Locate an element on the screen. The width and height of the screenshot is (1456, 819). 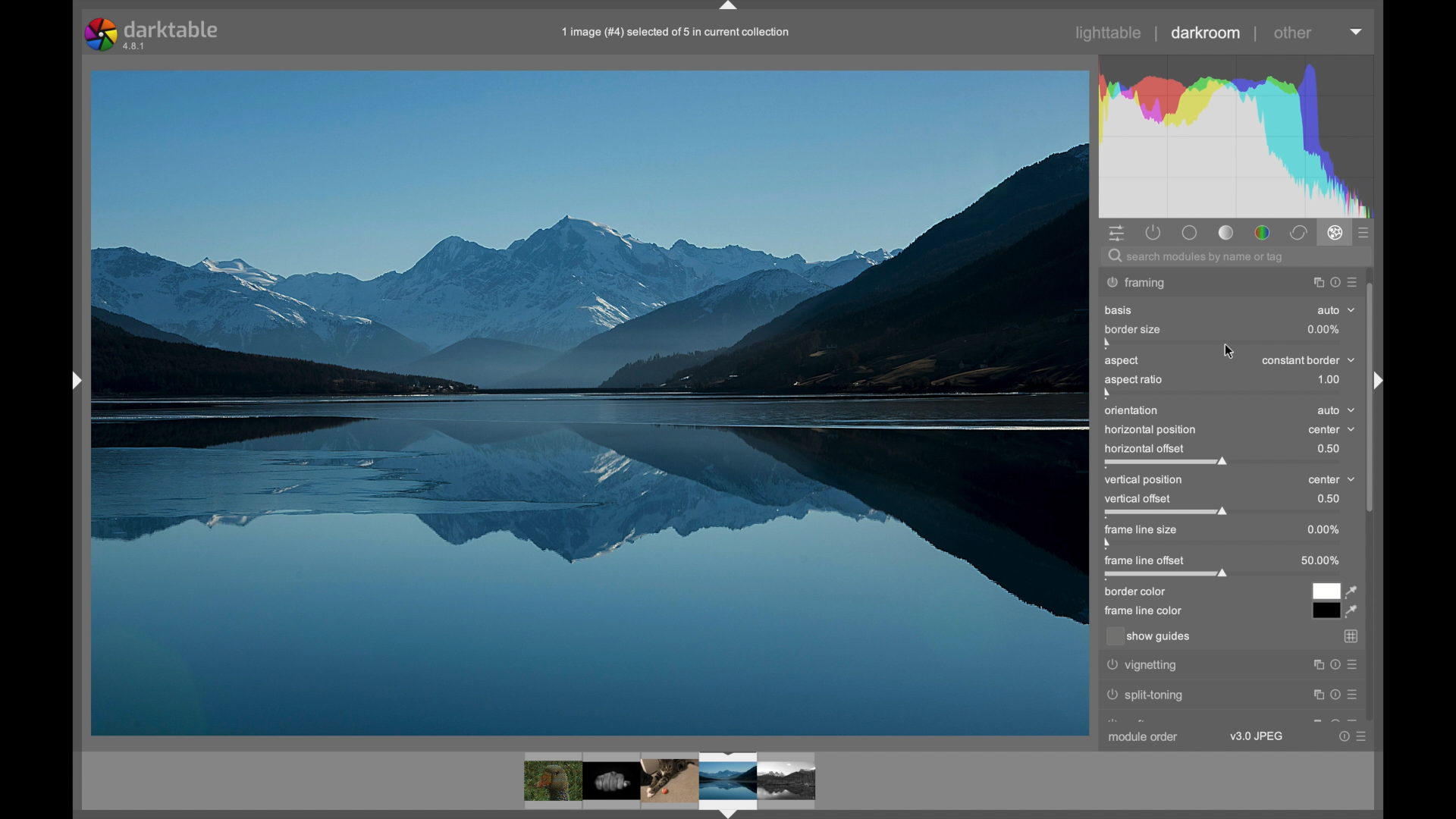
frame line color is located at coordinates (1144, 612).